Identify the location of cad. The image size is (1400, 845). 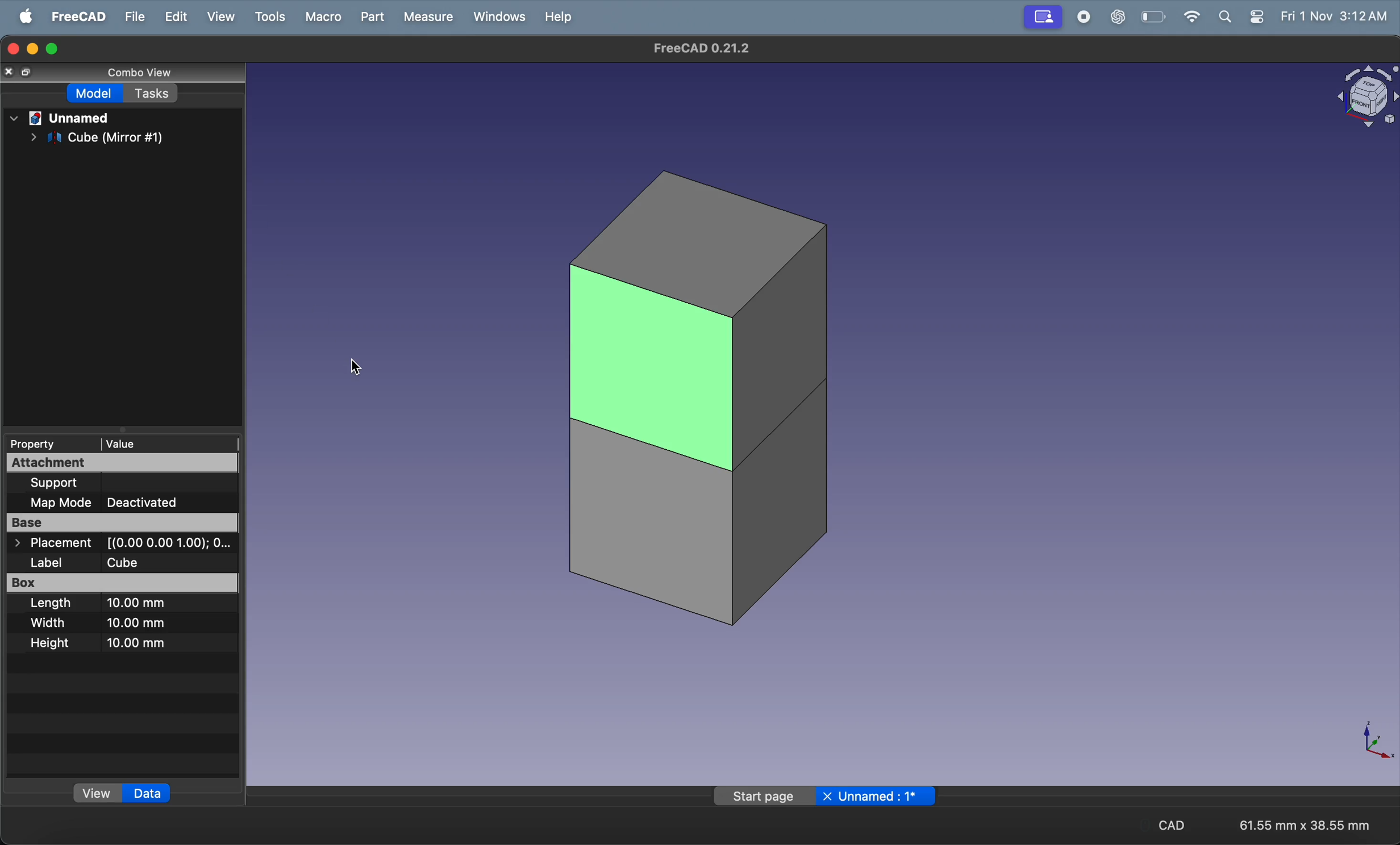
(1168, 824).